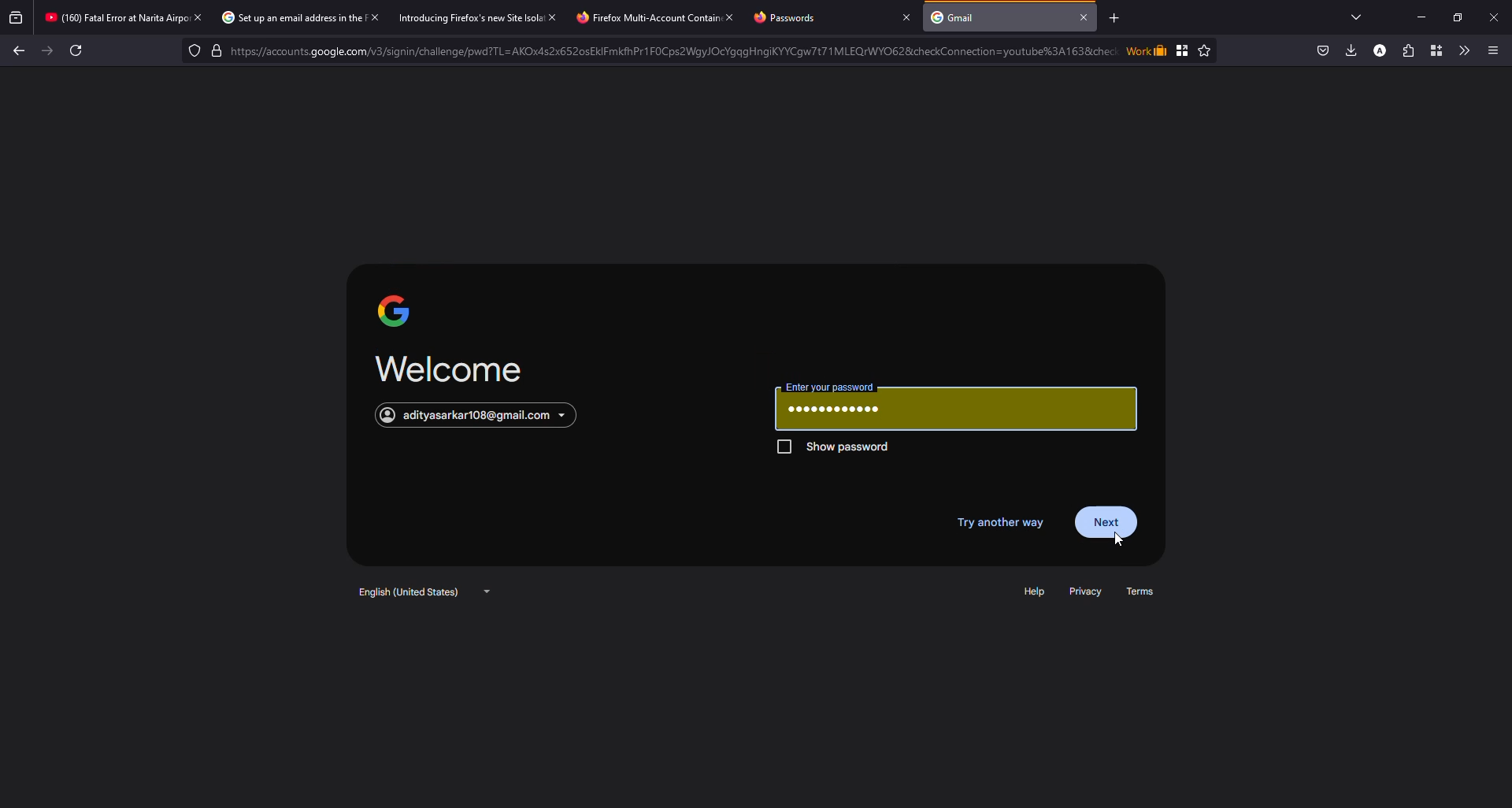  What do you see at coordinates (903, 17) in the screenshot?
I see `close` at bounding box center [903, 17].